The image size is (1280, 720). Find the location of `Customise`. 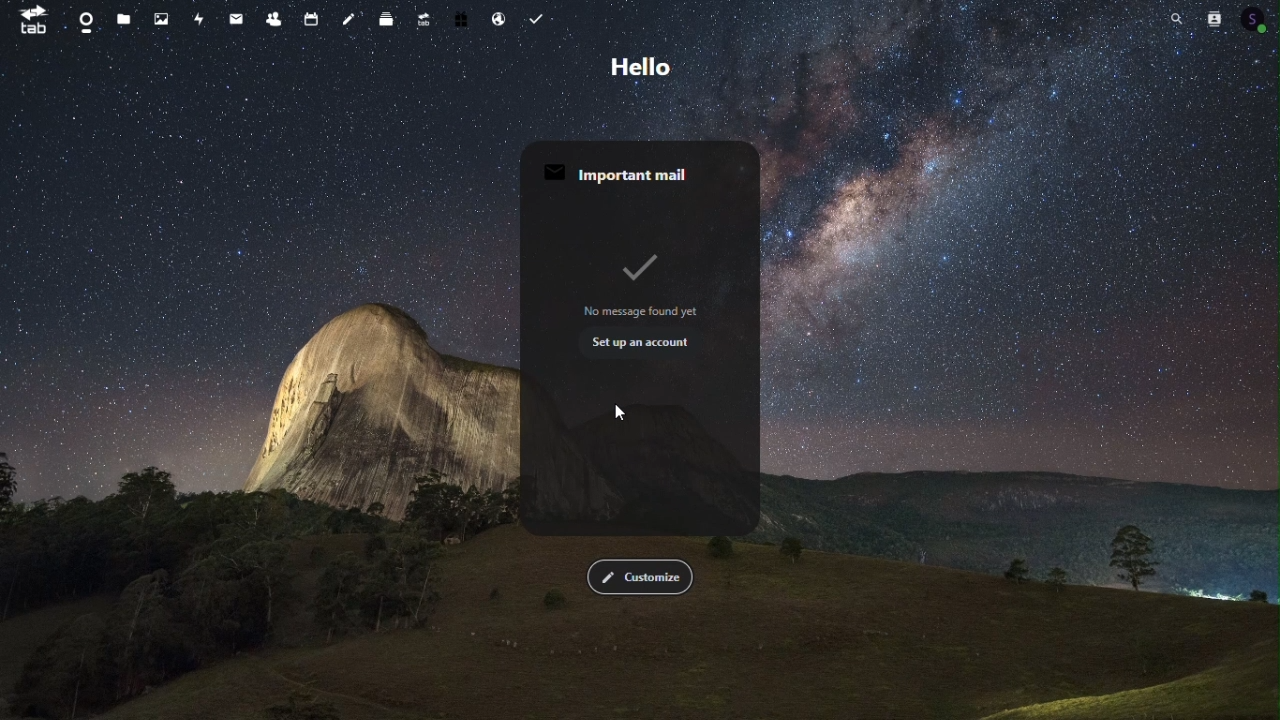

Customise is located at coordinates (640, 576).